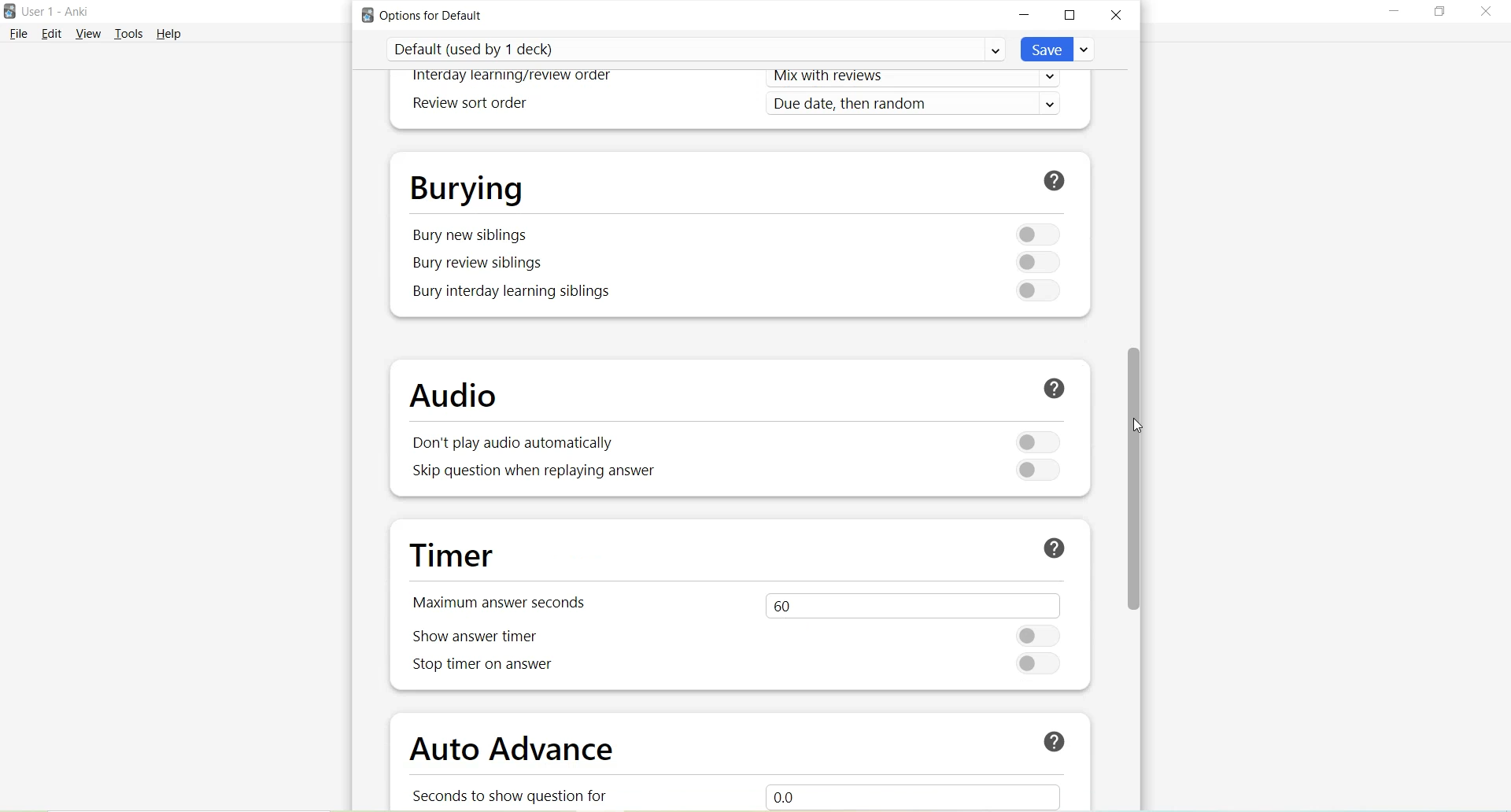 This screenshot has width=1511, height=812. Describe the element at coordinates (515, 752) in the screenshot. I see `Auto Advance` at that location.